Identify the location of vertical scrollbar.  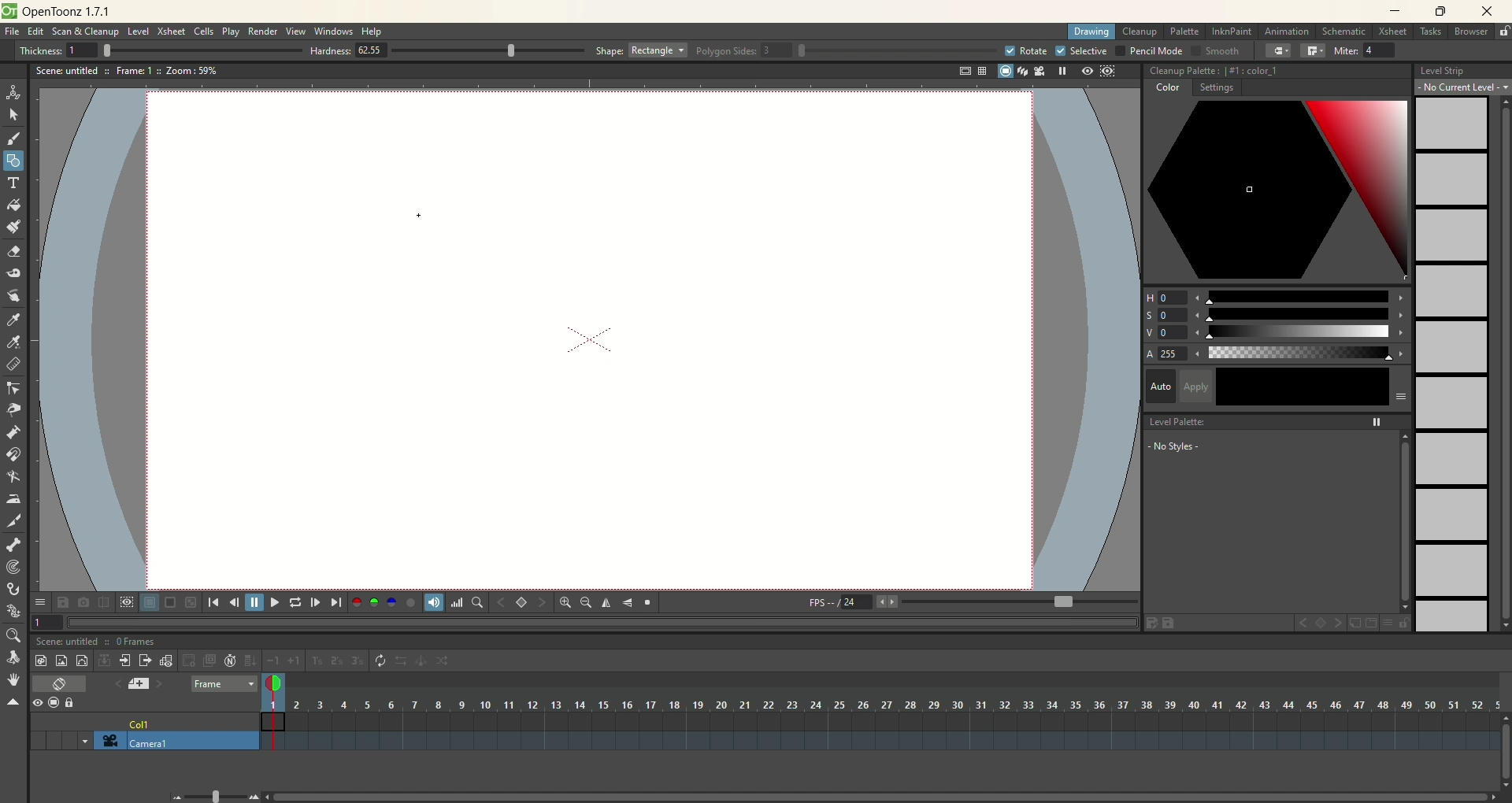
(1503, 764).